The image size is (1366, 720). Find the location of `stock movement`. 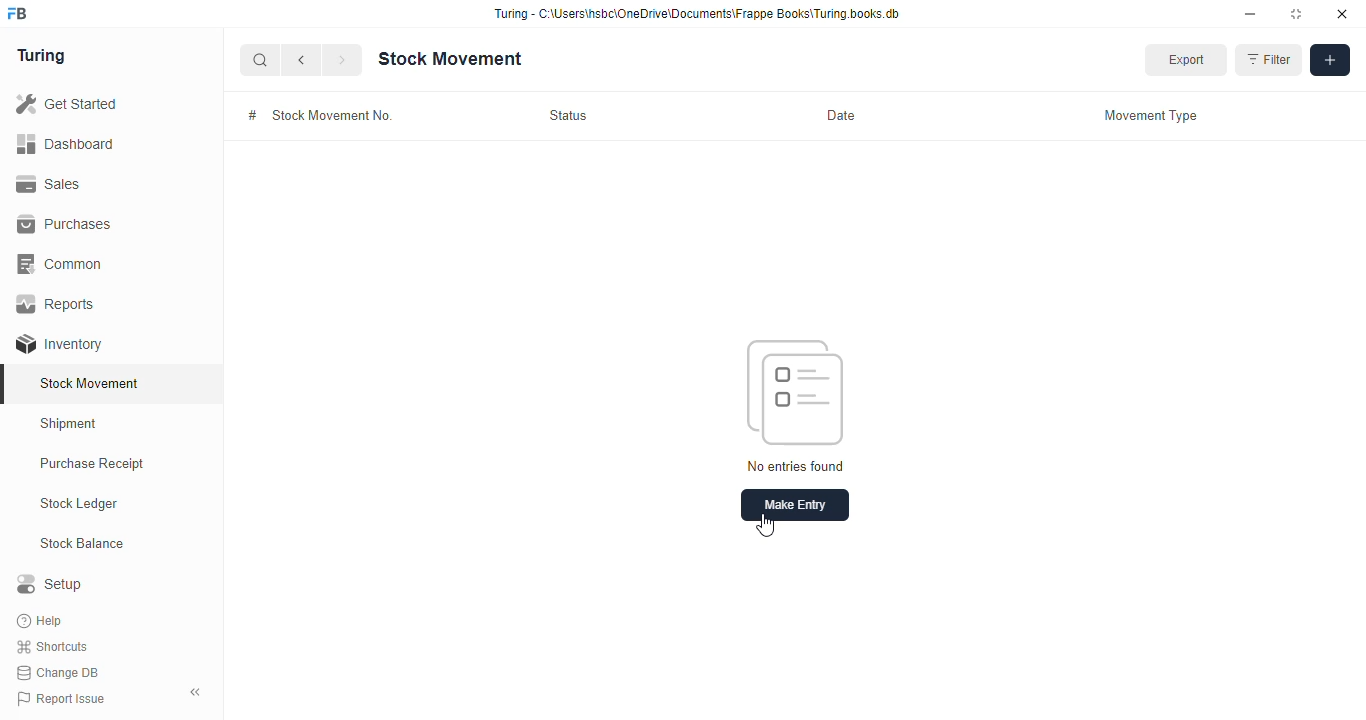

stock movement is located at coordinates (449, 59).